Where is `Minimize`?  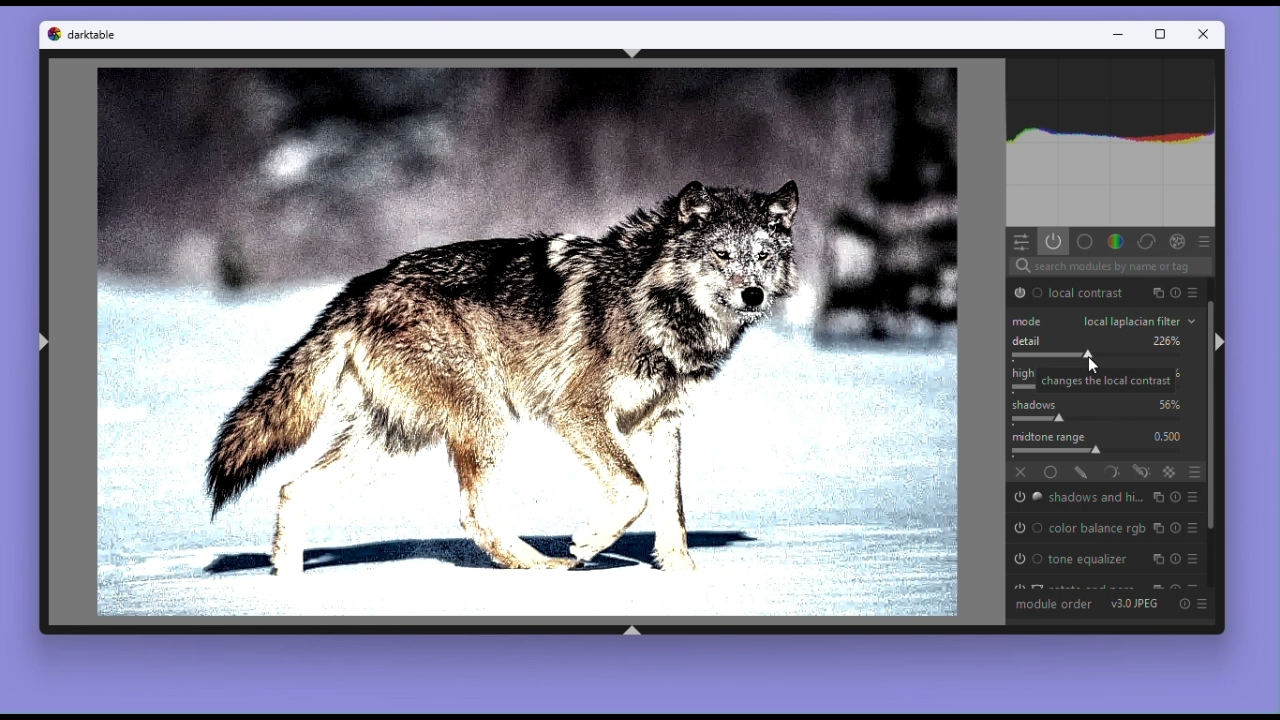
Minimize is located at coordinates (1118, 32).